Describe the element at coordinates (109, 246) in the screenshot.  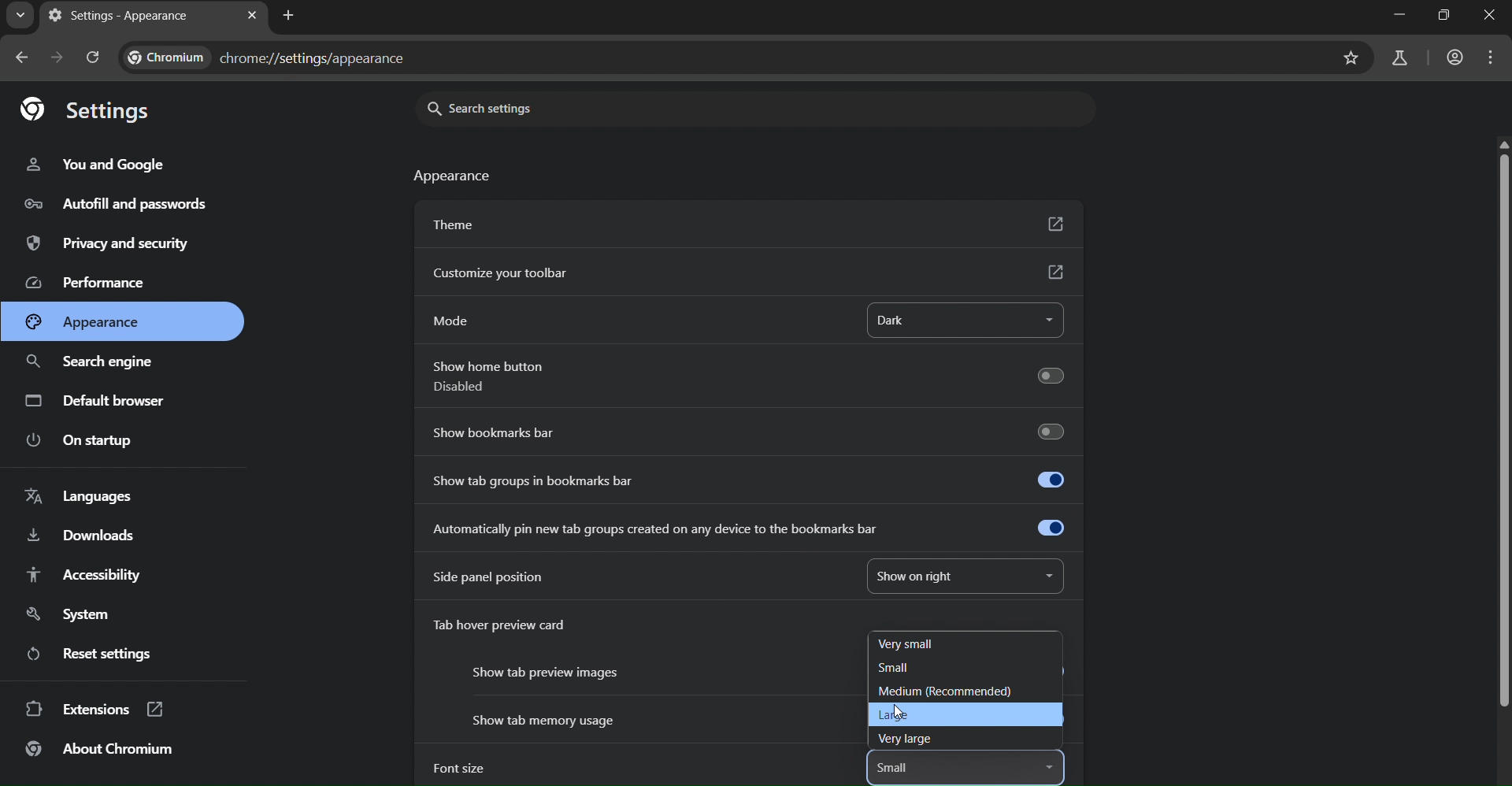
I see `privacy & security` at that location.